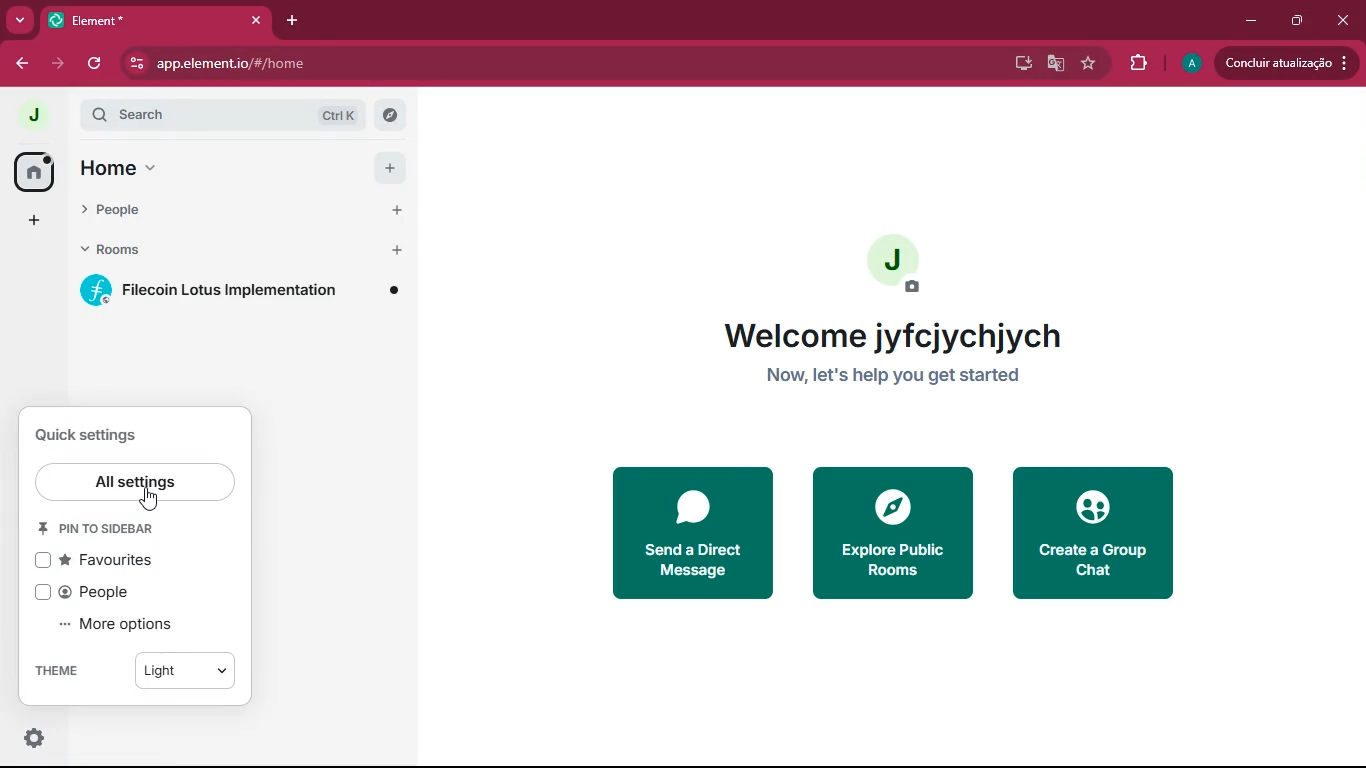  I want to click on search, so click(181, 115).